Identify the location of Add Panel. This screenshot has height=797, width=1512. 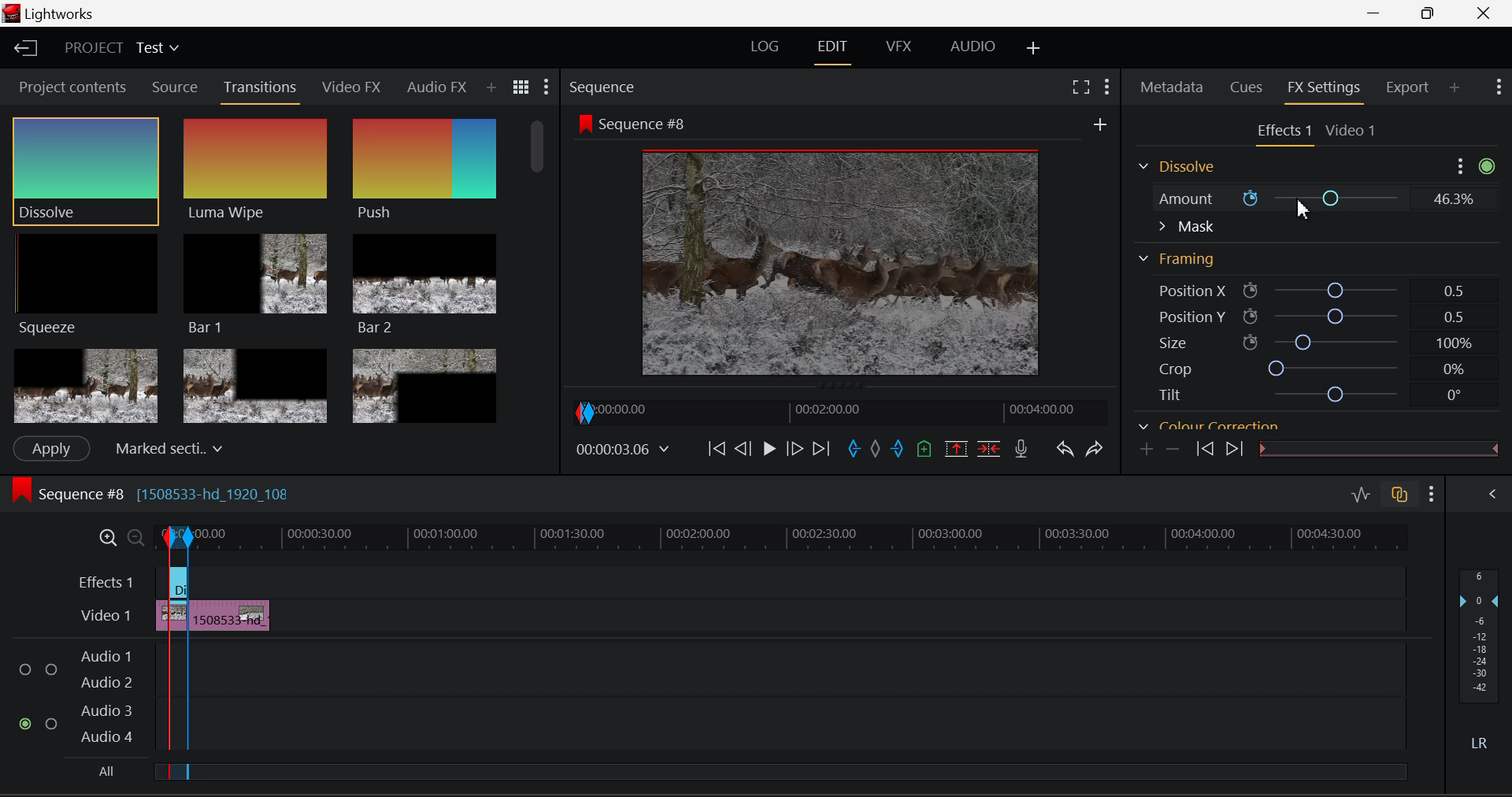
(1455, 88).